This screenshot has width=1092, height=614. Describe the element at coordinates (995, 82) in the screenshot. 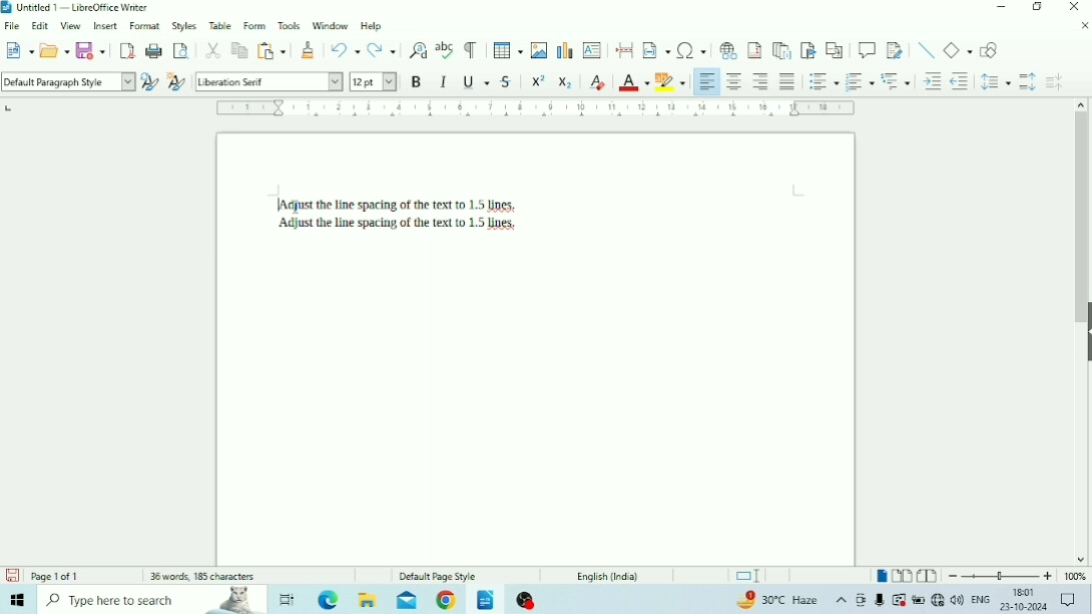

I see `Set Line Spacing` at that location.